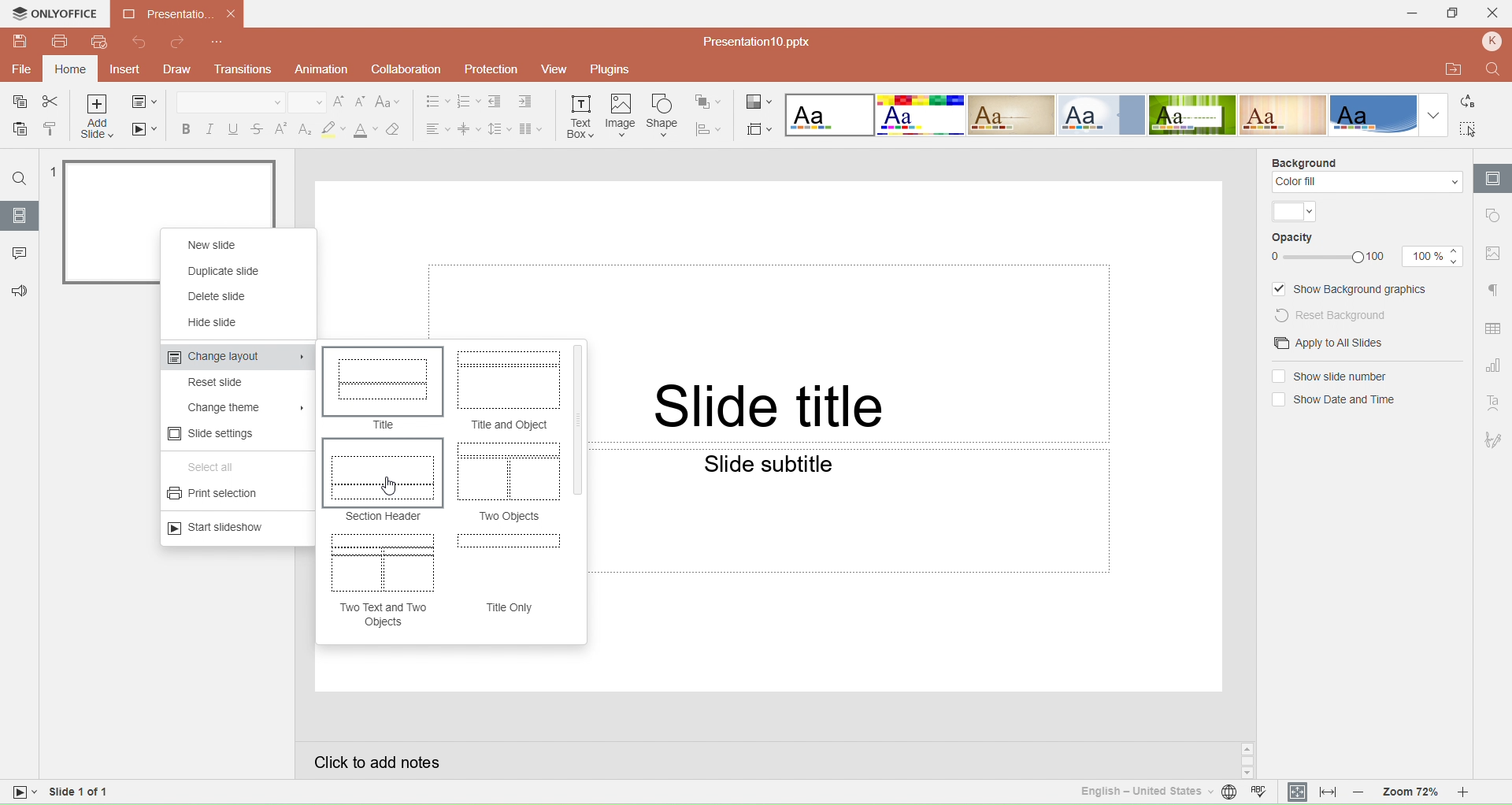 The image size is (1512, 805). What do you see at coordinates (511, 607) in the screenshot?
I see `Title Only` at bounding box center [511, 607].